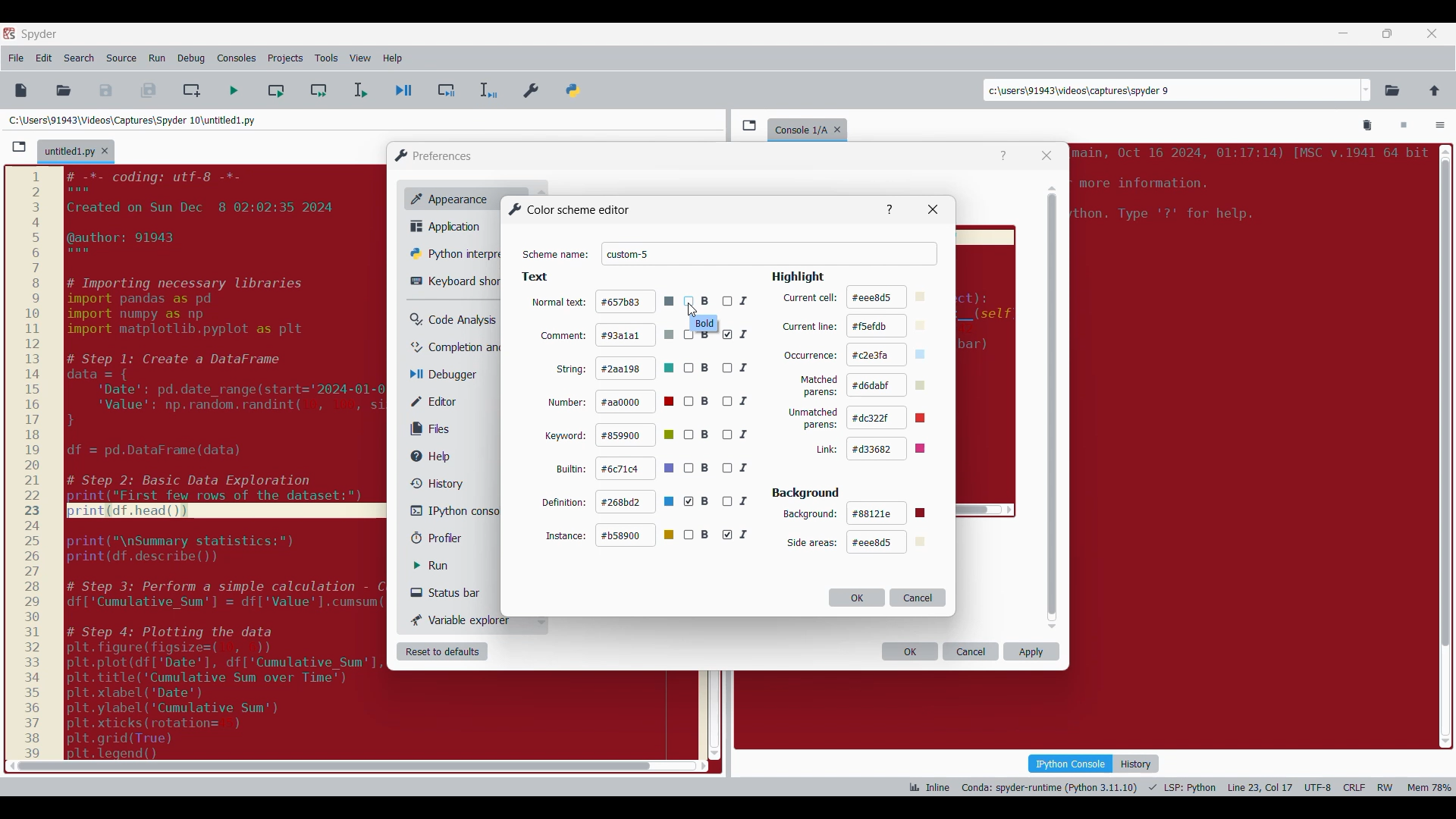 The image size is (1456, 819). What do you see at coordinates (1344, 33) in the screenshot?
I see `Minimize` at bounding box center [1344, 33].